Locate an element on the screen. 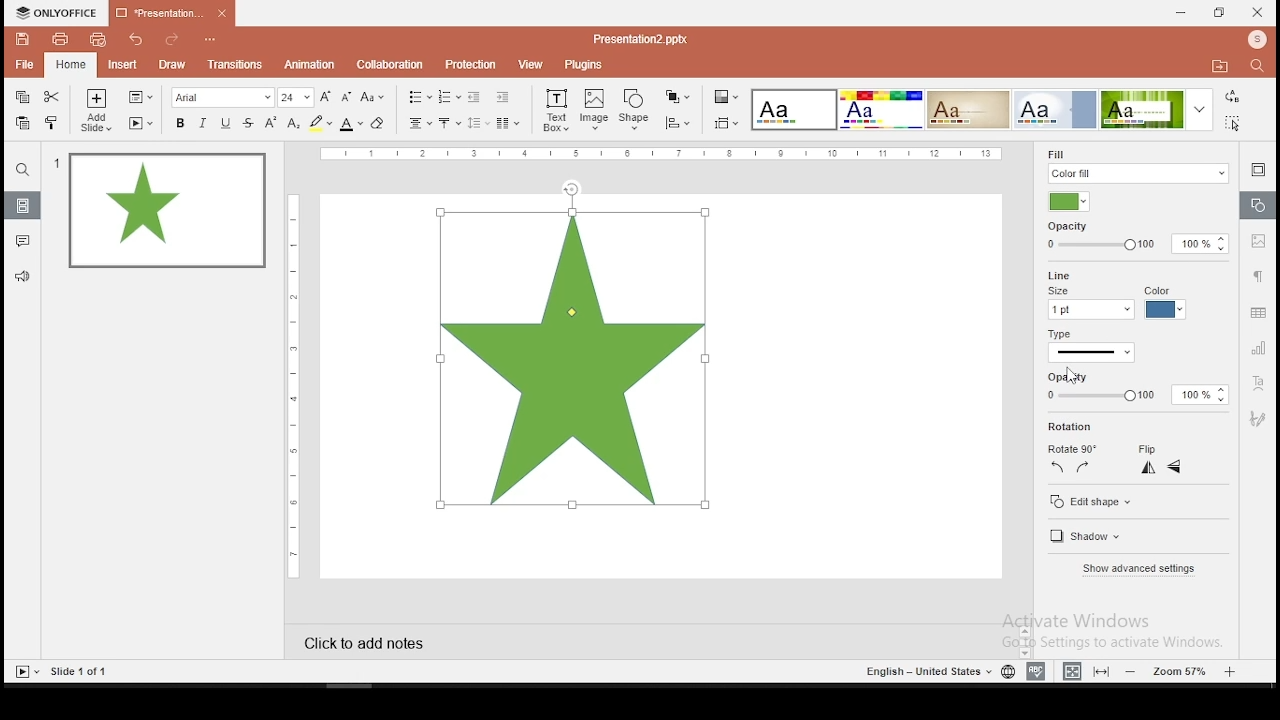 The image size is (1280, 720). start slideshow is located at coordinates (26, 672).